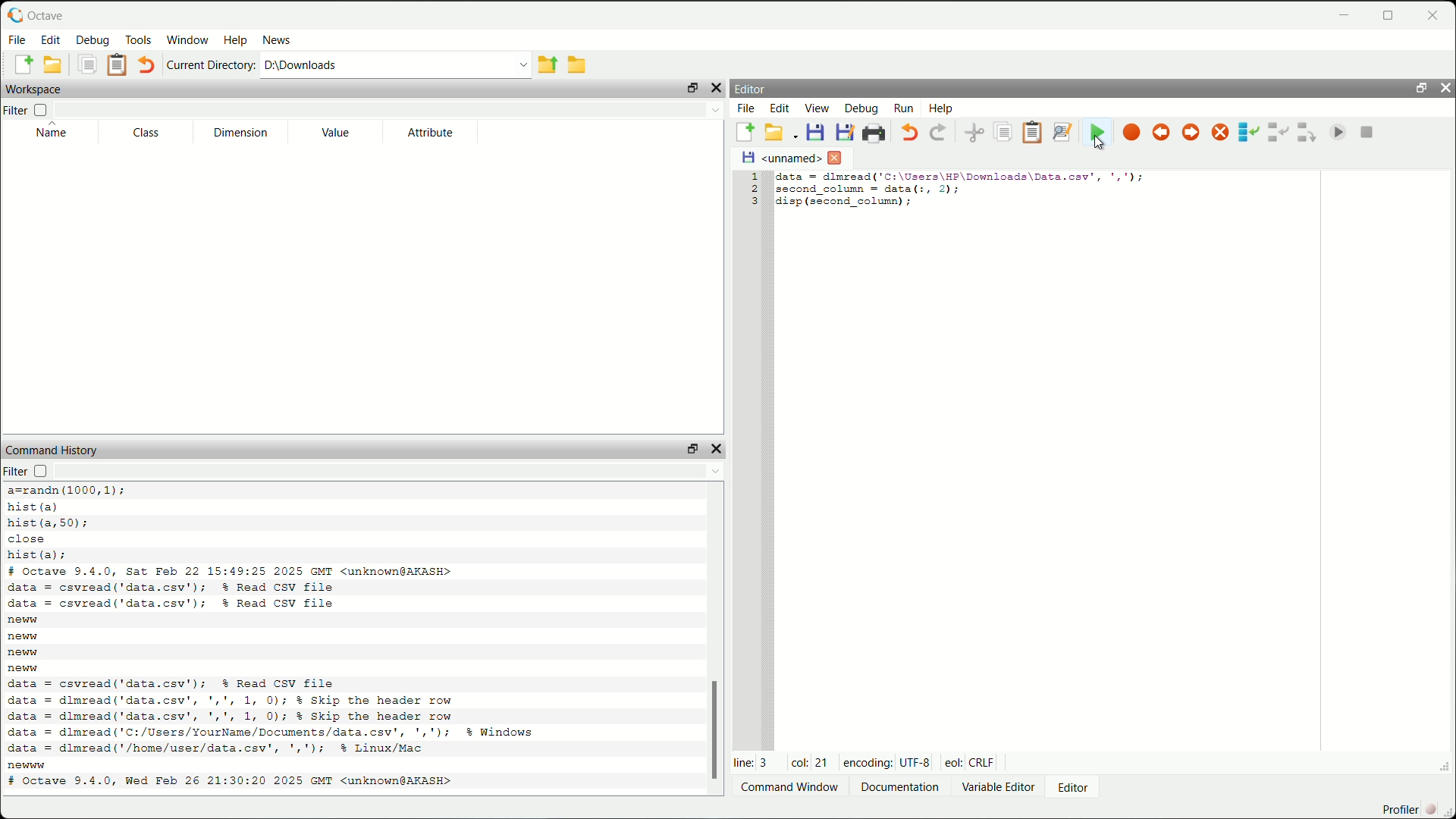 The width and height of the screenshot is (1456, 819). I want to click on hide widget, so click(717, 86).